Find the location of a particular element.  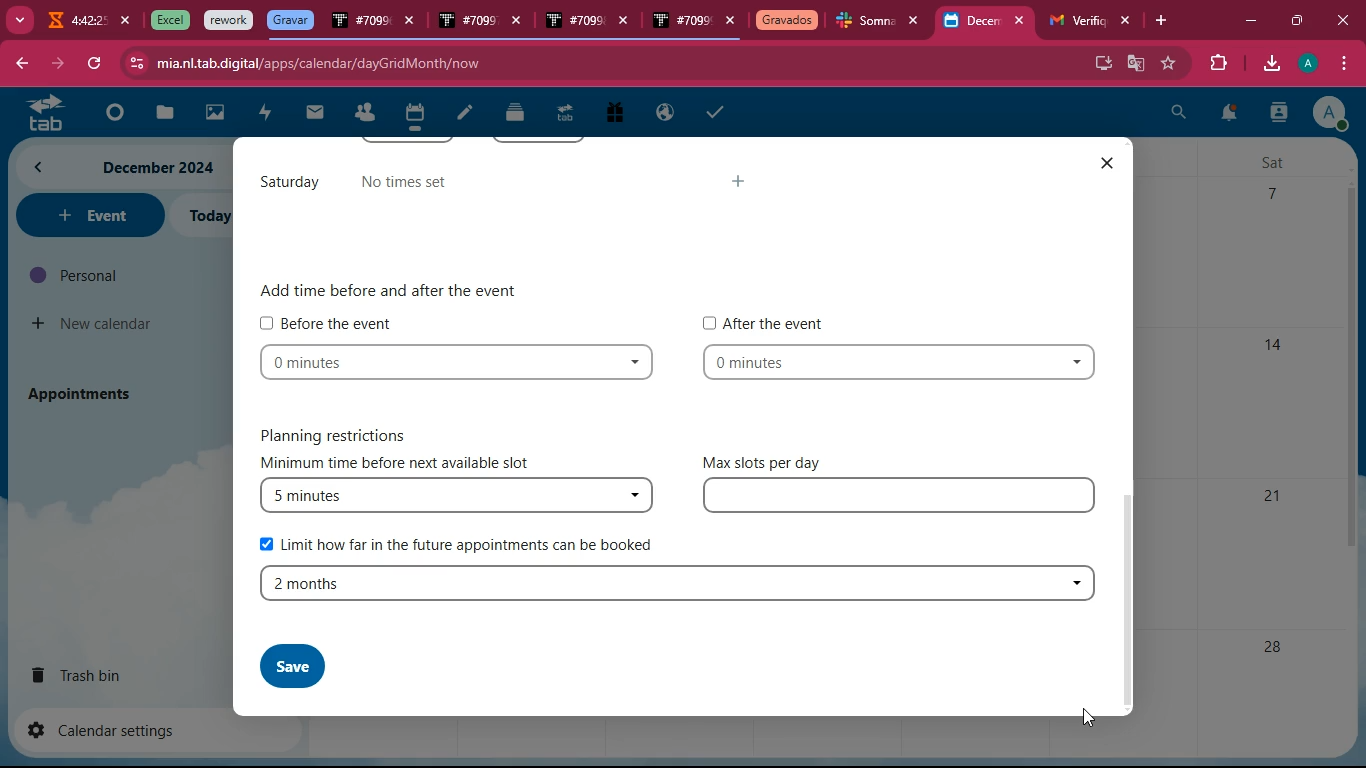

back is located at coordinates (20, 65).